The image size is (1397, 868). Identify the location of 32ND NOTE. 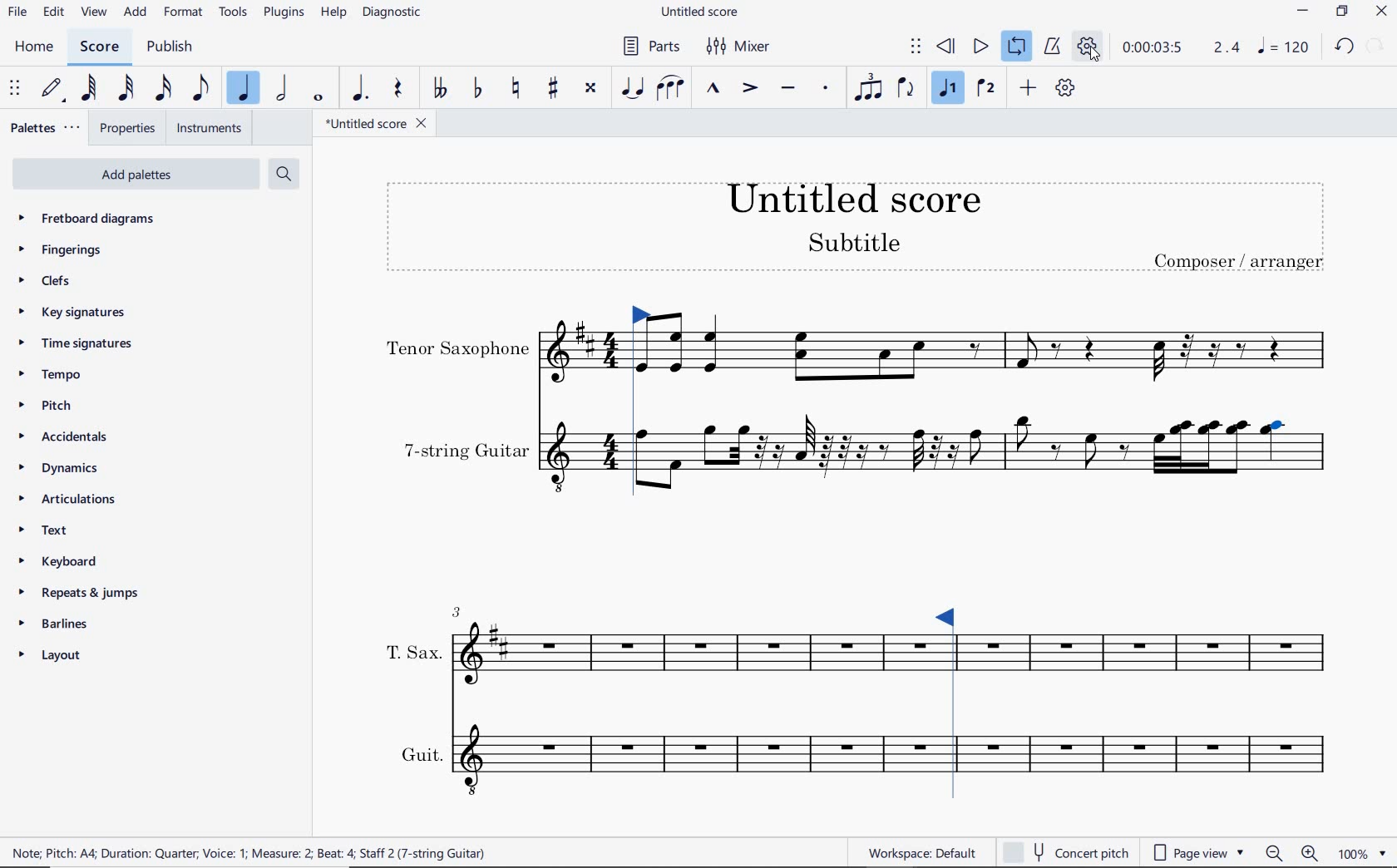
(125, 88).